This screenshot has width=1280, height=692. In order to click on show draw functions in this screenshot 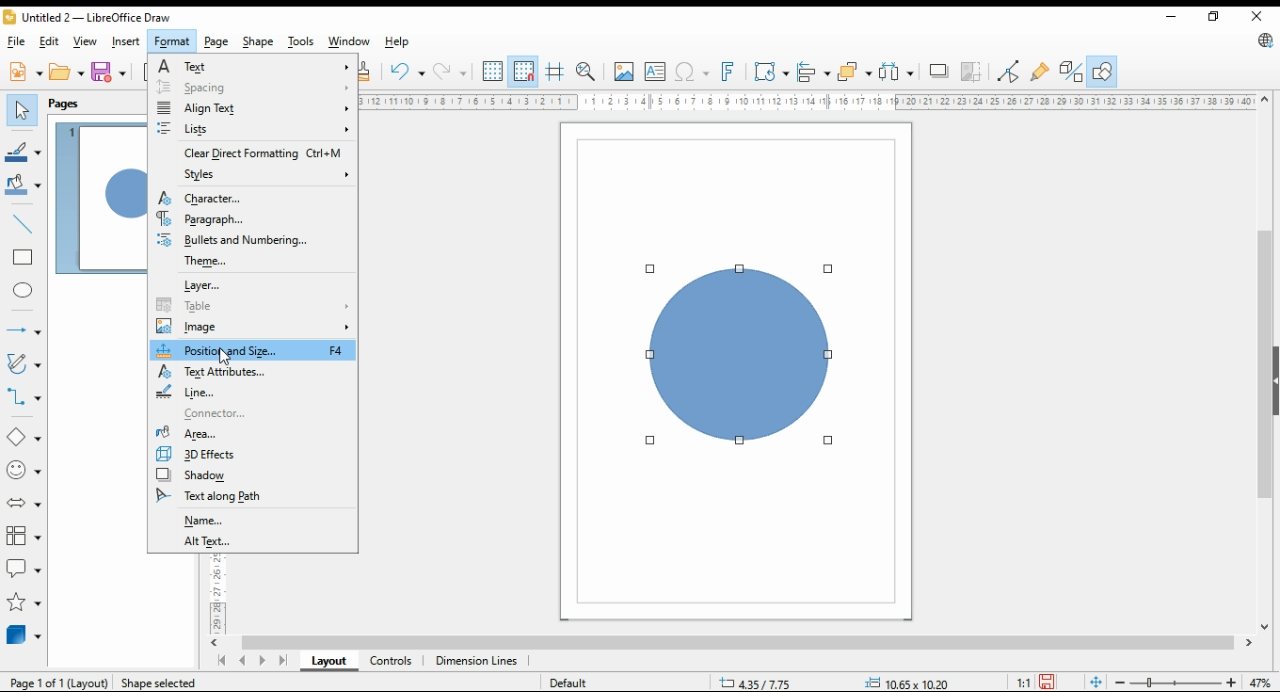, I will do `click(1102, 72)`.